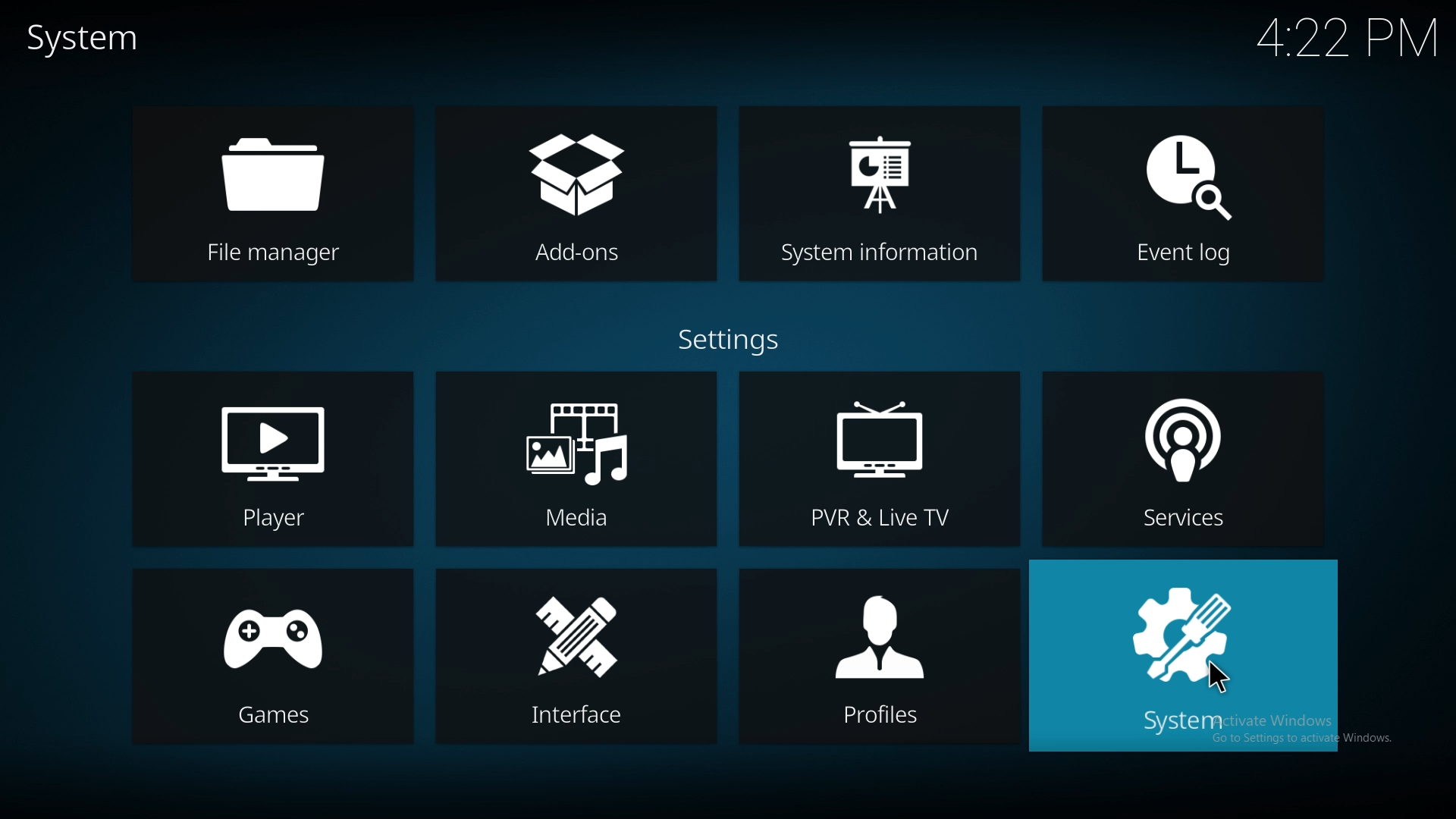 The image size is (1456, 819). What do you see at coordinates (284, 198) in the screenshot?
I see `file manager` at bounding box center [284, 198].